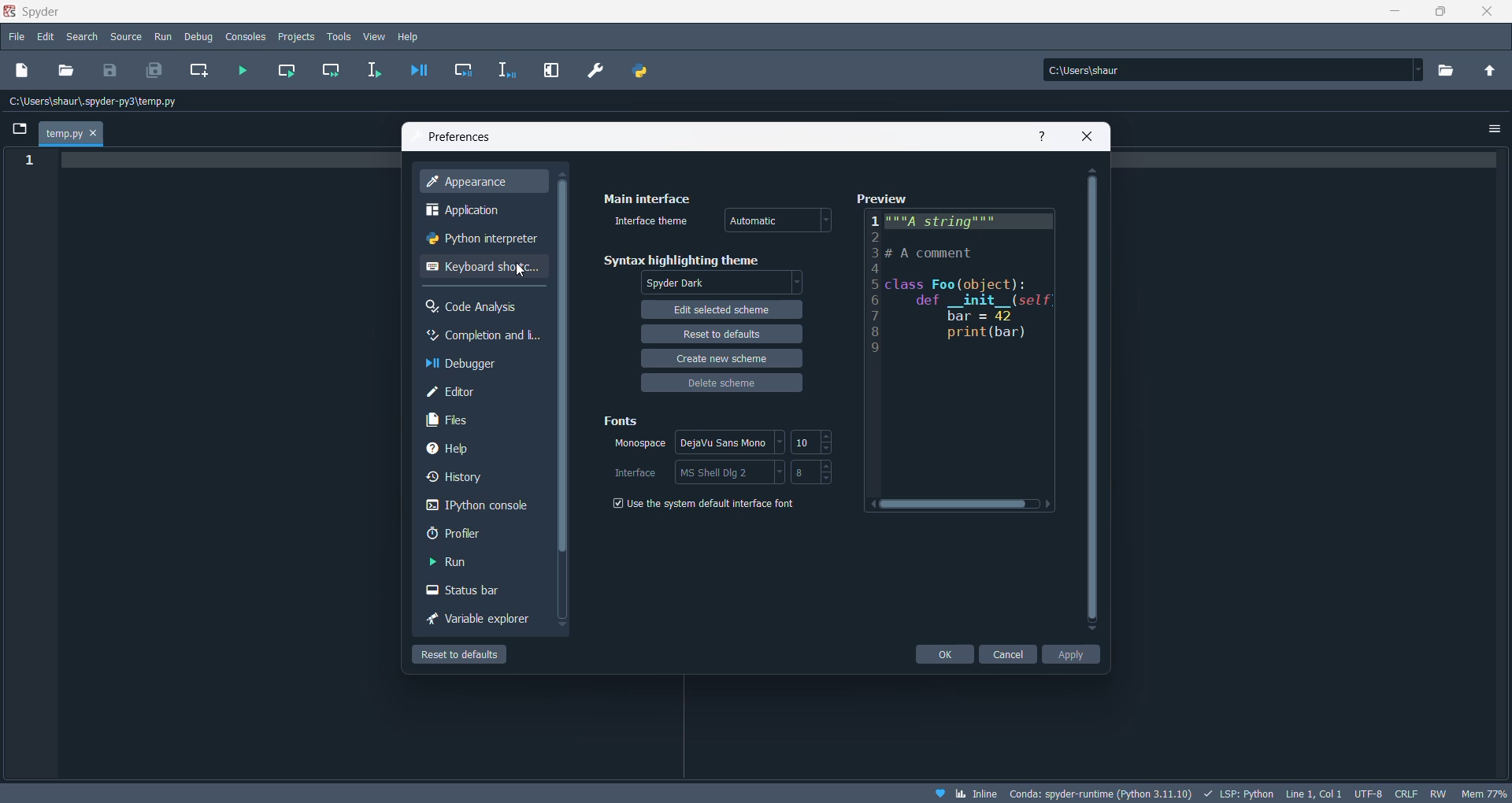  I want to click on decrement, so click(828, 478).